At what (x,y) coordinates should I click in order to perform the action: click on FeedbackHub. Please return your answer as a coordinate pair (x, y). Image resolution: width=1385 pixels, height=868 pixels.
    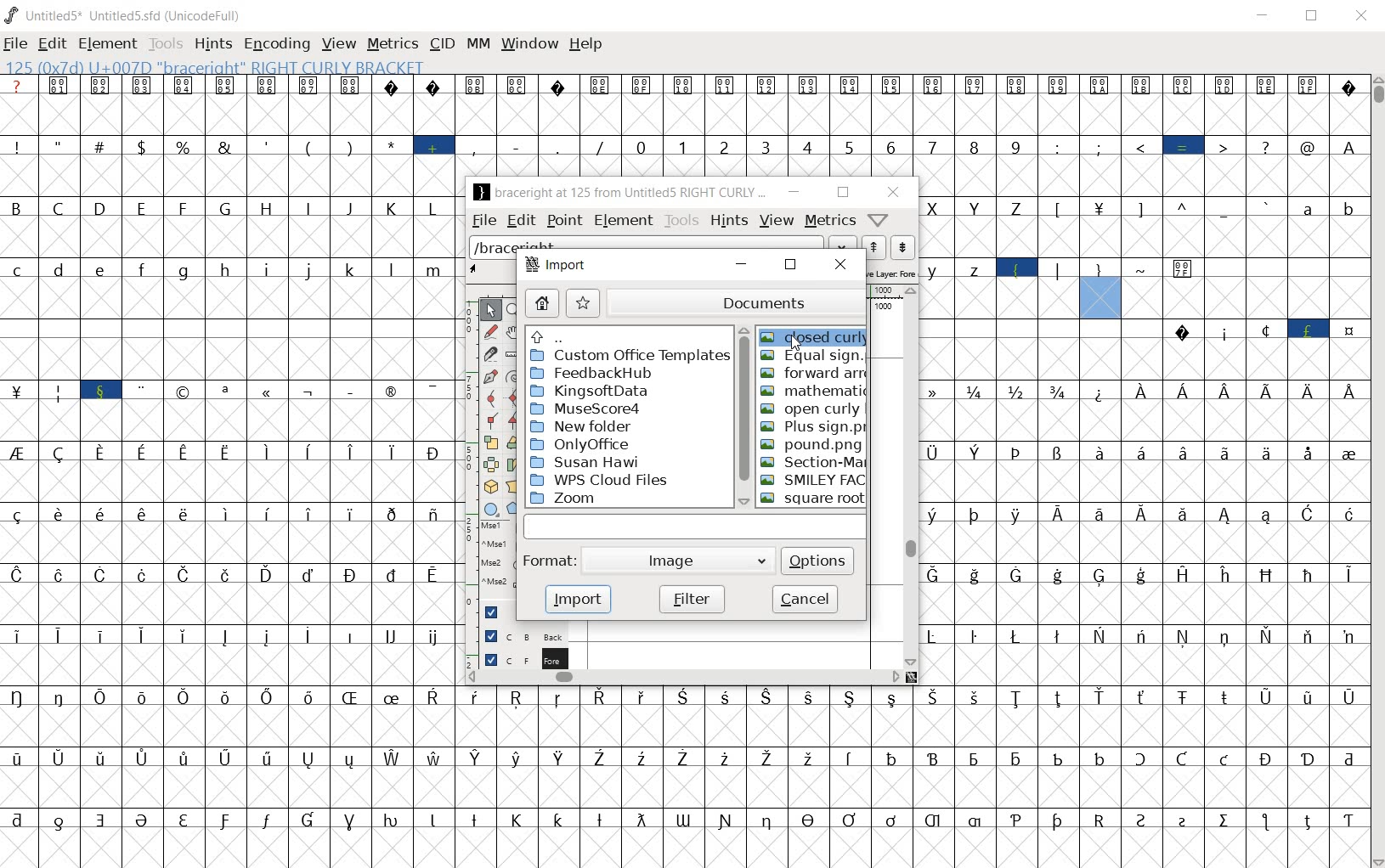
    Looking at the image, I should click on (592, 375).